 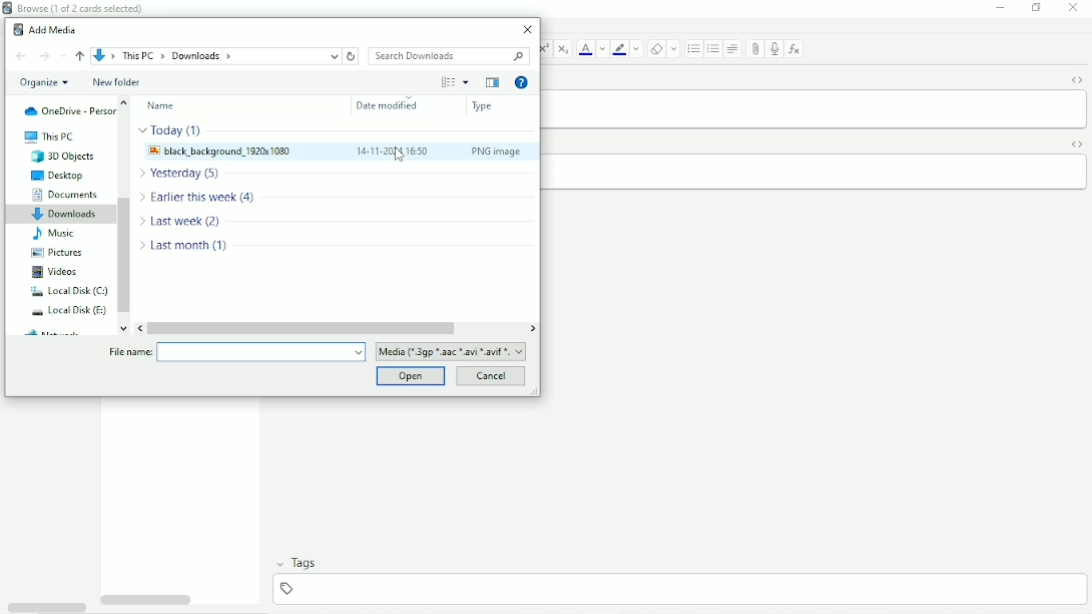 I want to click on move right, so click(x=532, y=329).